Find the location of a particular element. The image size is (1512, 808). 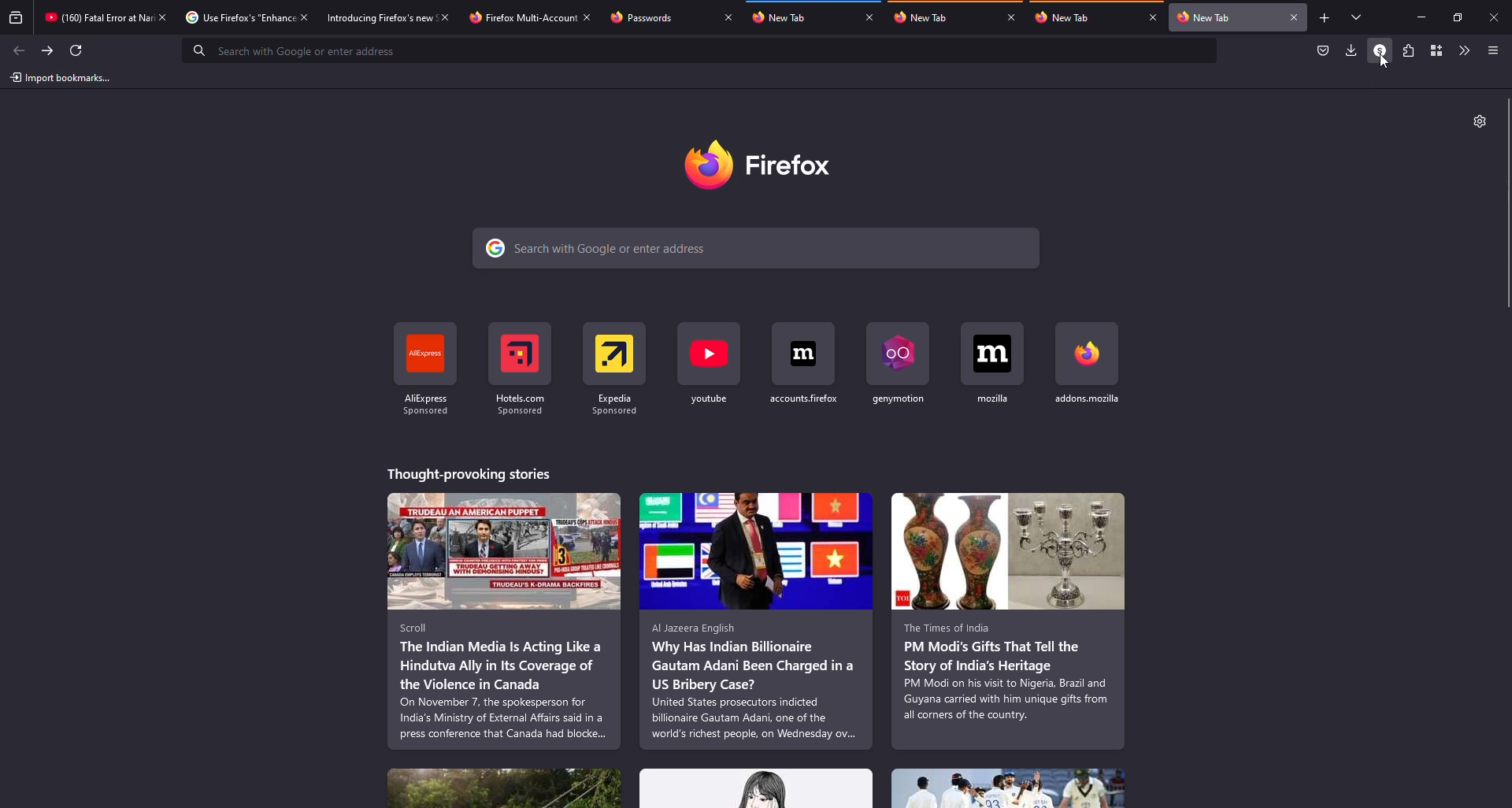

close is located at coordinates (1010, 18).